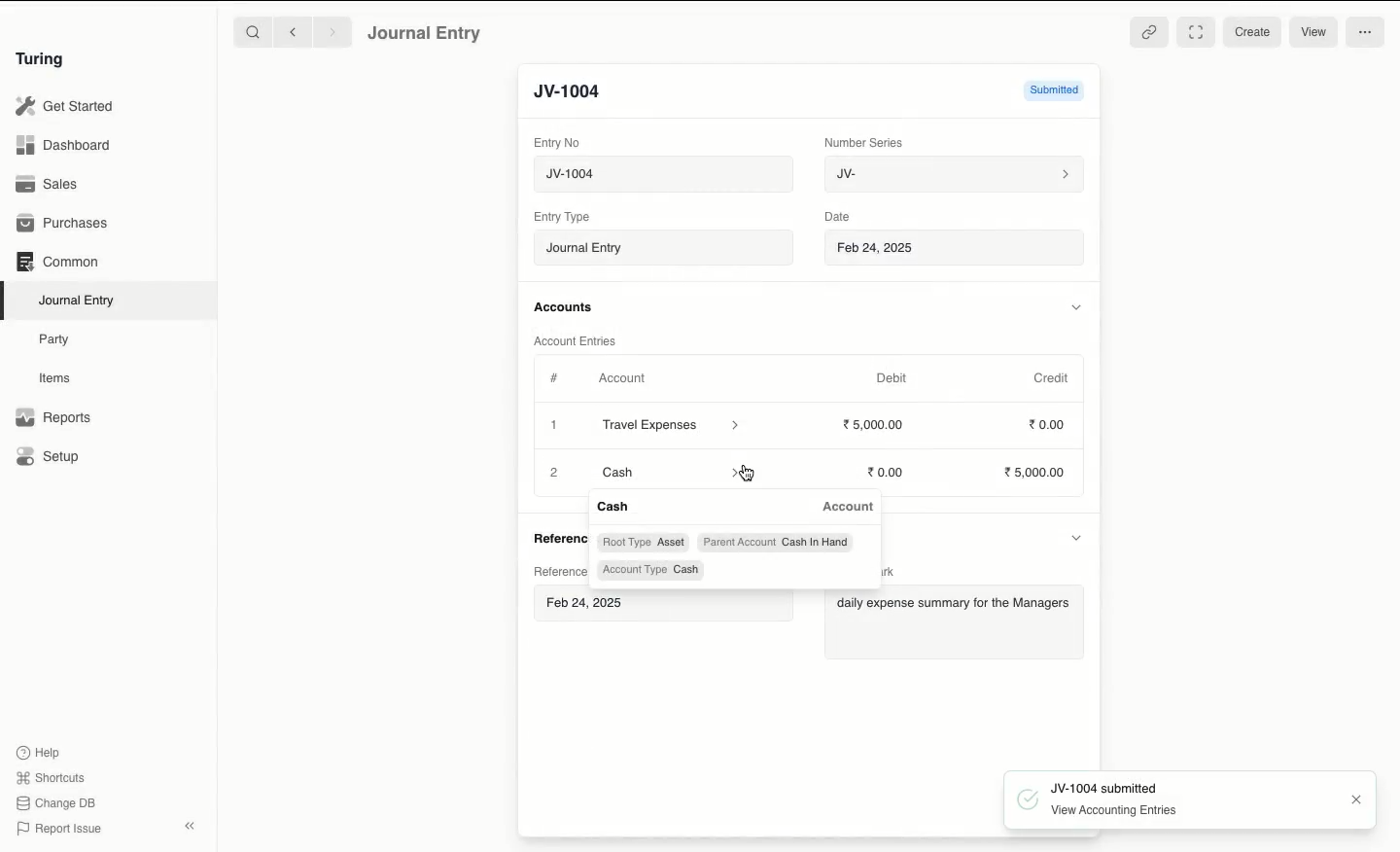  I want to click on Journal Entry, so click(663, 247).